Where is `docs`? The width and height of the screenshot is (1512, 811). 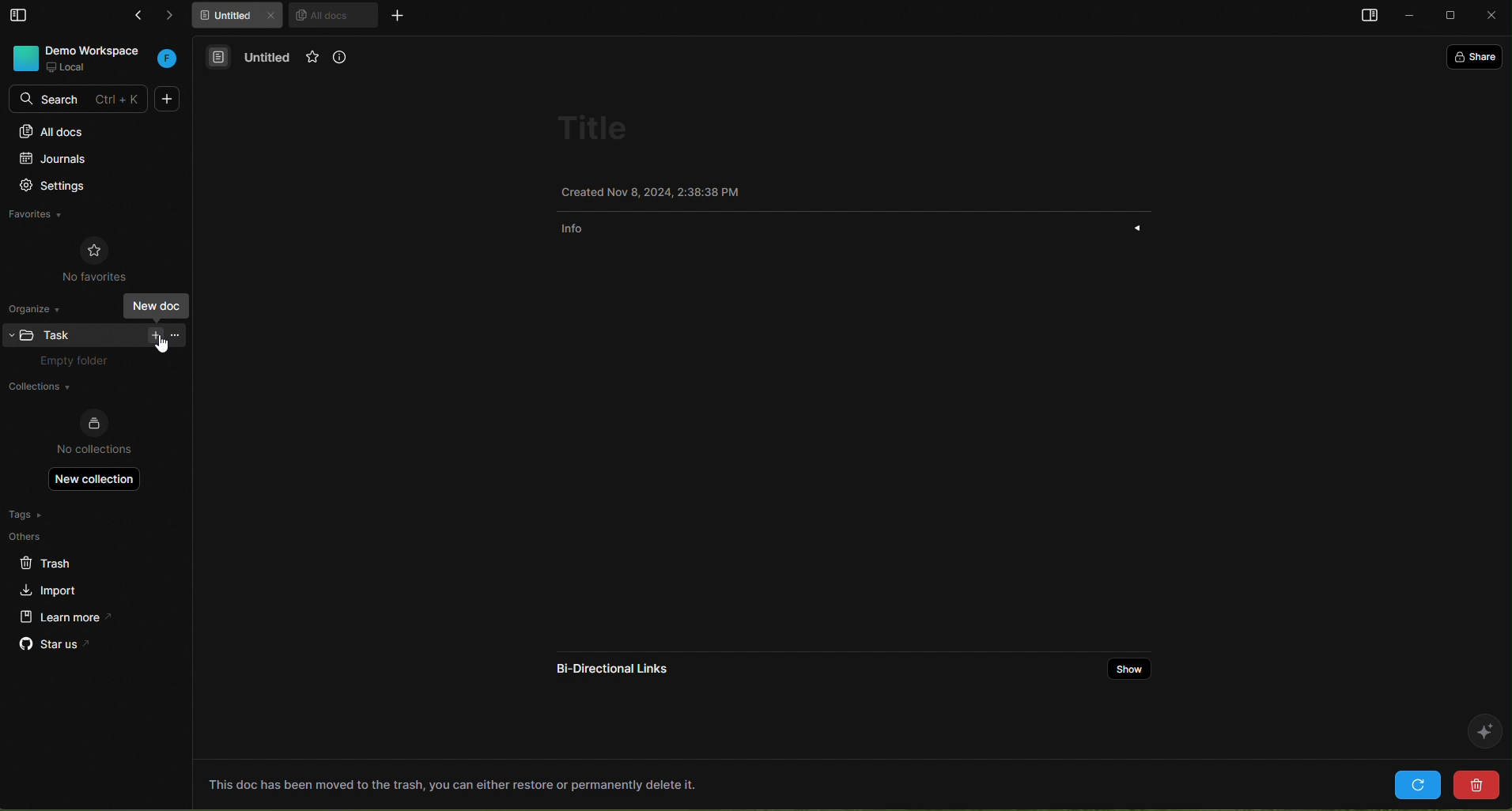 docs is located at coordinates (218, 56).